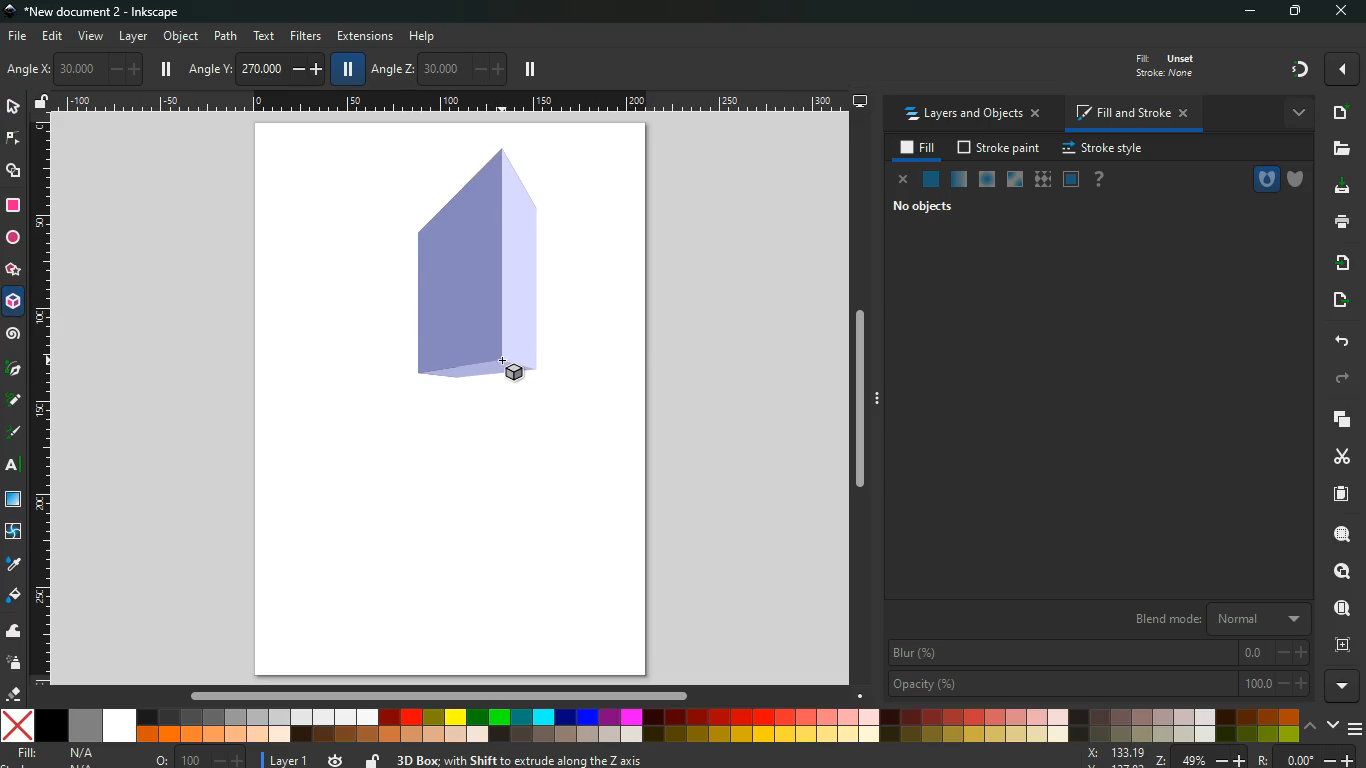  What do you see at coordinates (14, 171) in the screenshot?
I see `shapes` at bounding box center [14, 171].